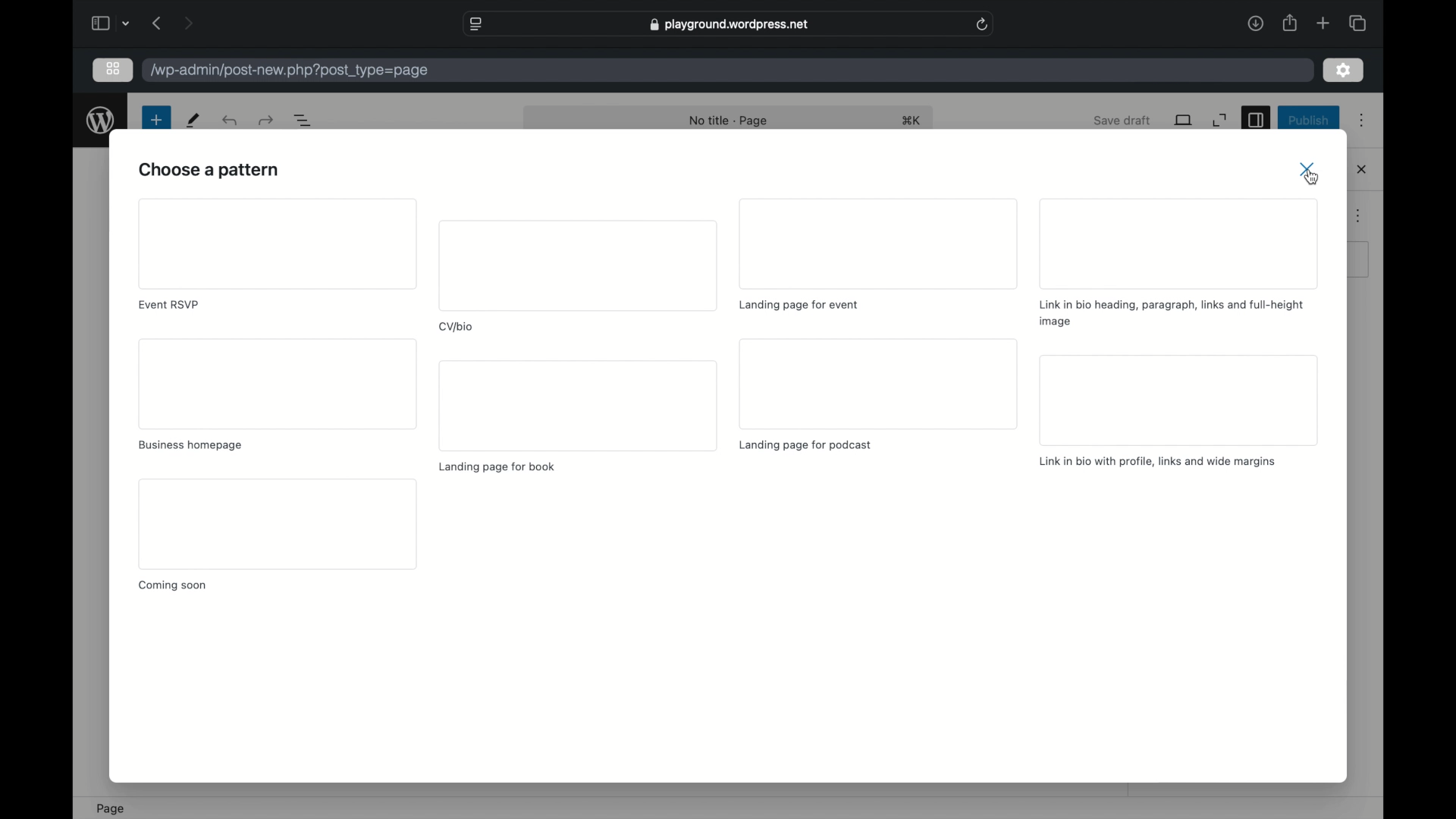 The height and width of the screenshot is (819, 1456). What do you see at coordinates (498, 467) in the screenshot?
I see `landing page for book` at bounding box center [498, 467].